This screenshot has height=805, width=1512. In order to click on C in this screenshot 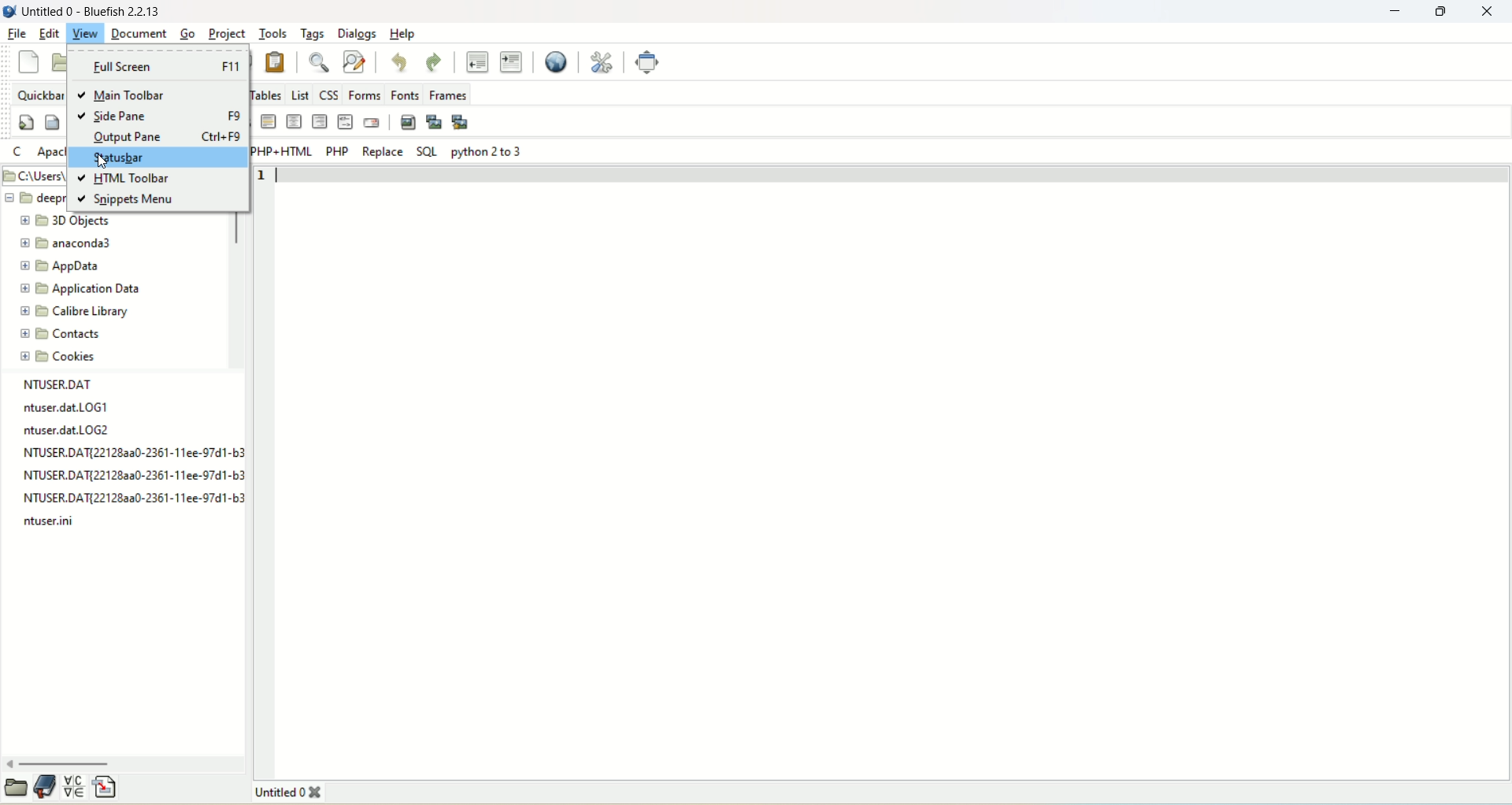, I will do `click(20, 152)`.